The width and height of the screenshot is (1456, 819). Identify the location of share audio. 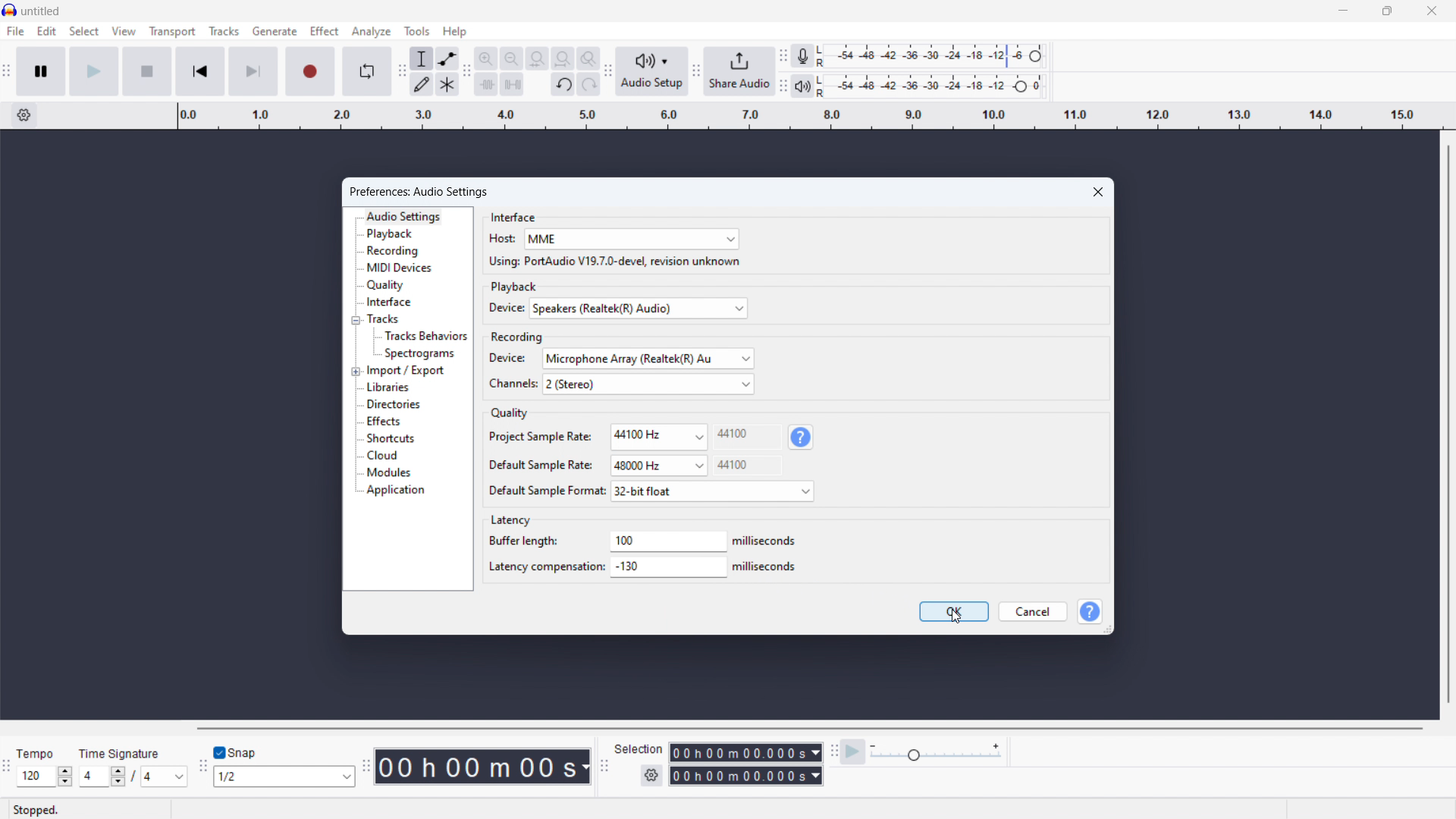
(739, 71).